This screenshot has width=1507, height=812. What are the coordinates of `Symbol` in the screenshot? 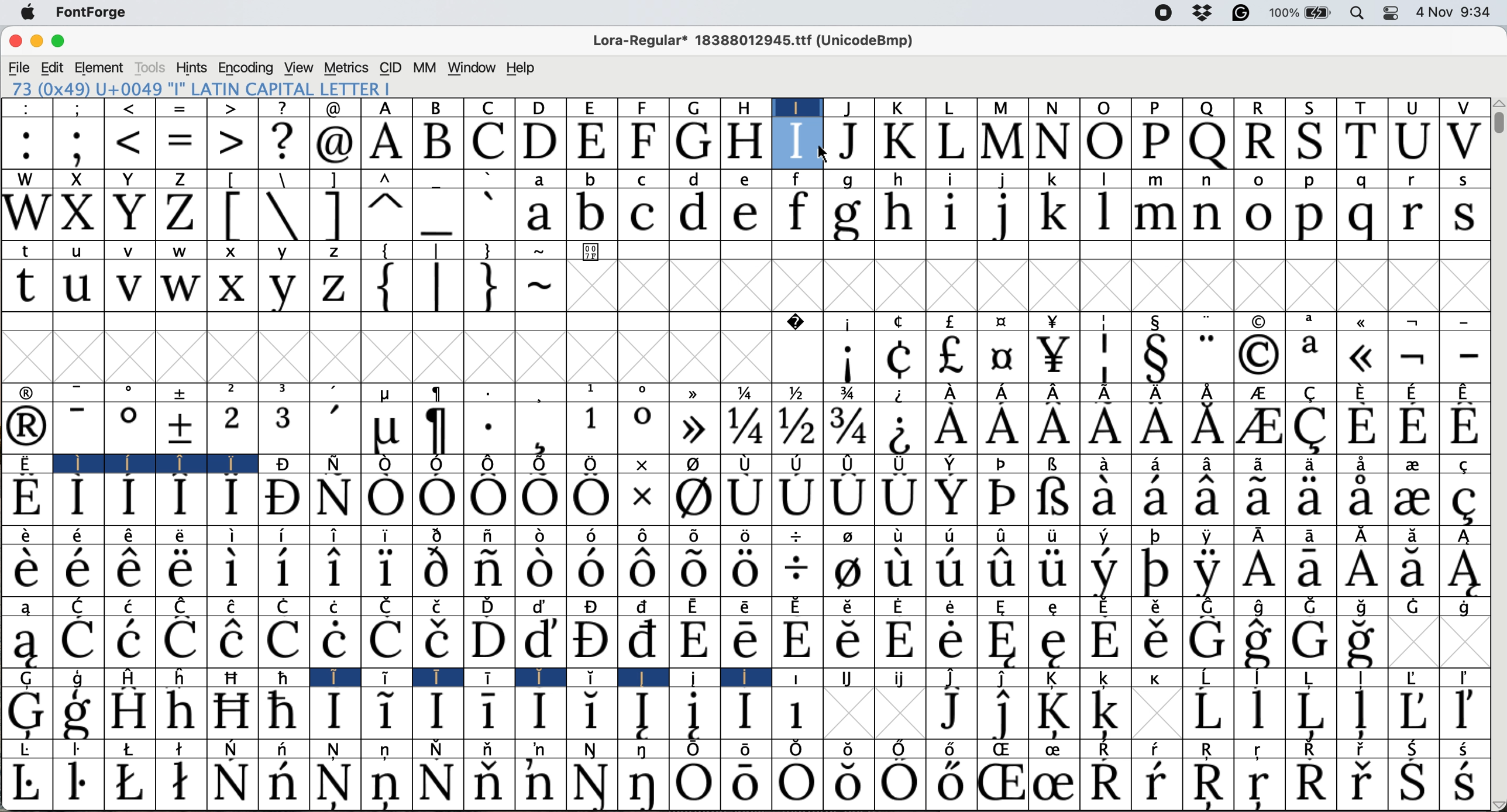 It's located at (80, 750).